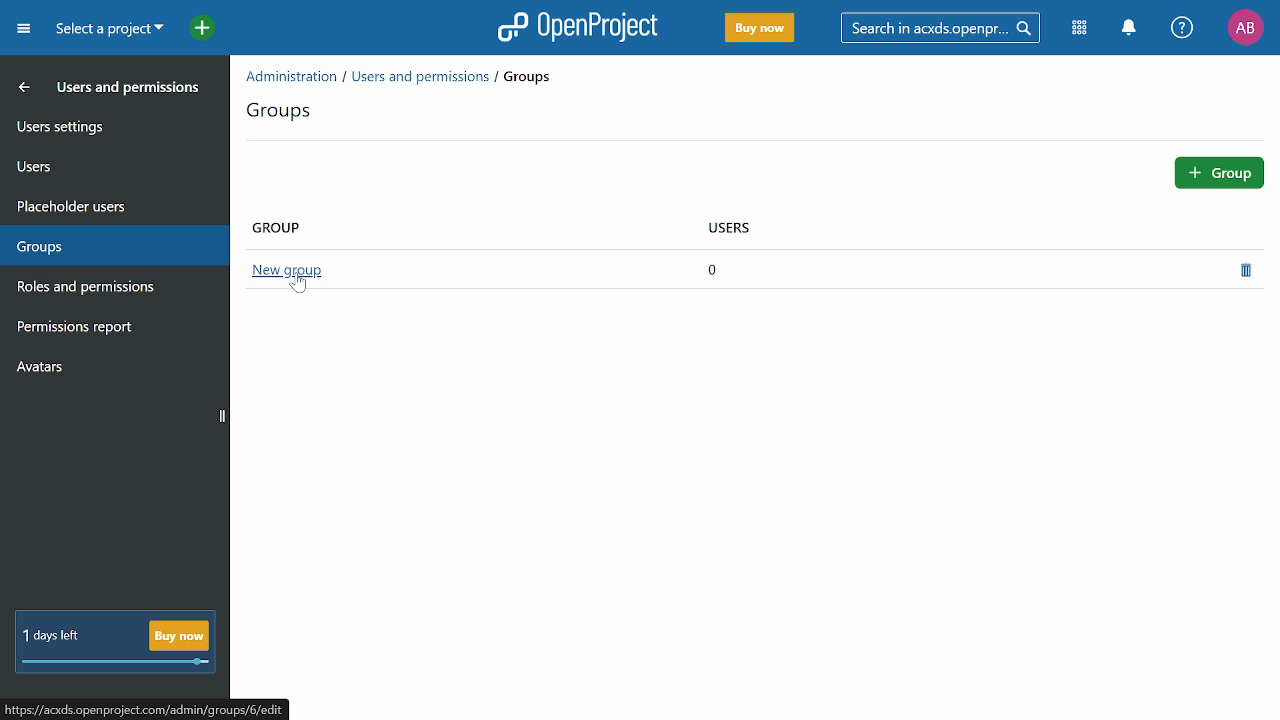 This screenshot has width=1280, height=720. What do you see at coordinates (285, 269) in the screenshot?
I see `new group` at bounding box center [285, 269].